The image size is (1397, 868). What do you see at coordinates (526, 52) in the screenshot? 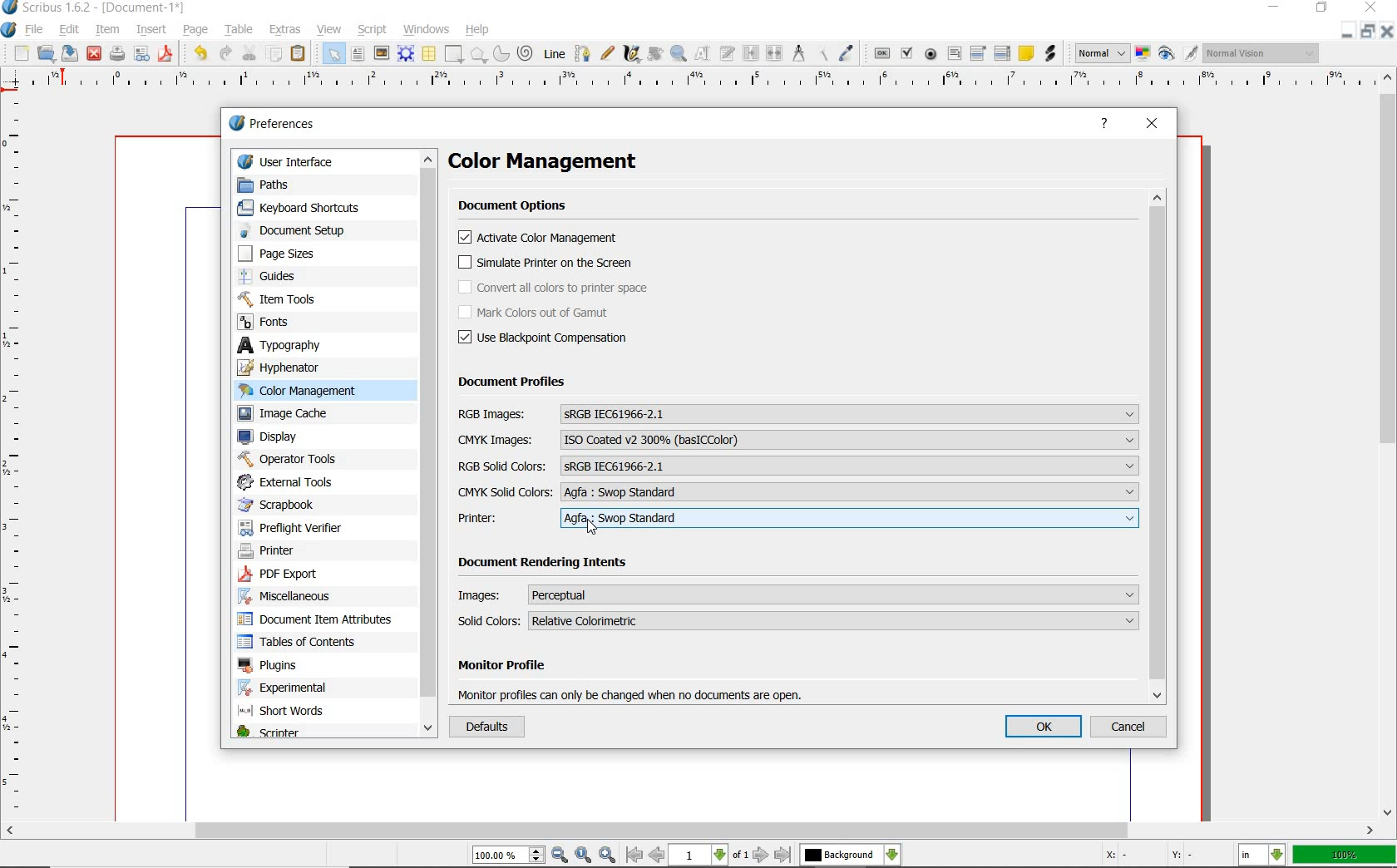
I see `spiral` at bounding box center [526, 52].